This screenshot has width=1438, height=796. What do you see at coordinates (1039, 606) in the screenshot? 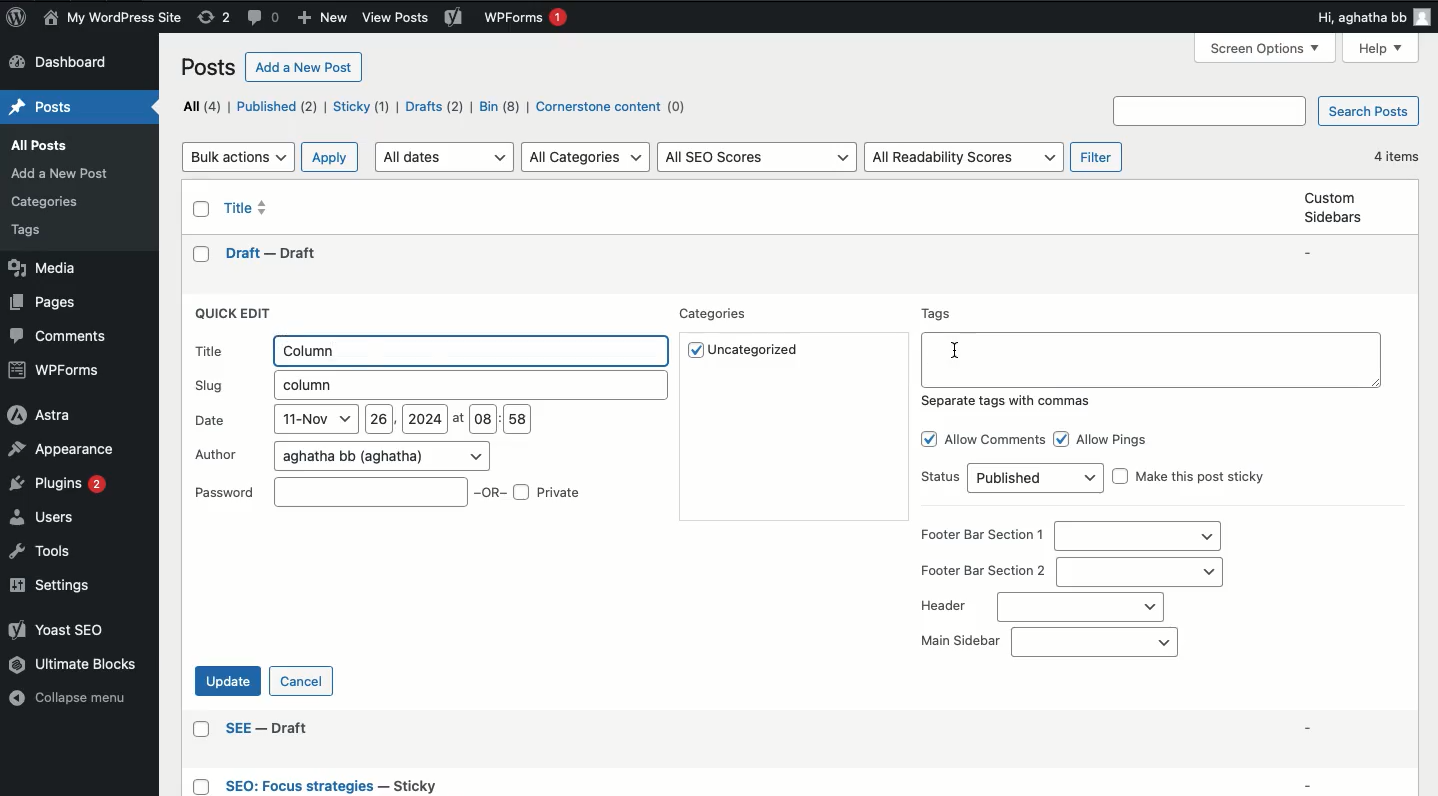
I see `Header ` at bounding box center [1039, 606].